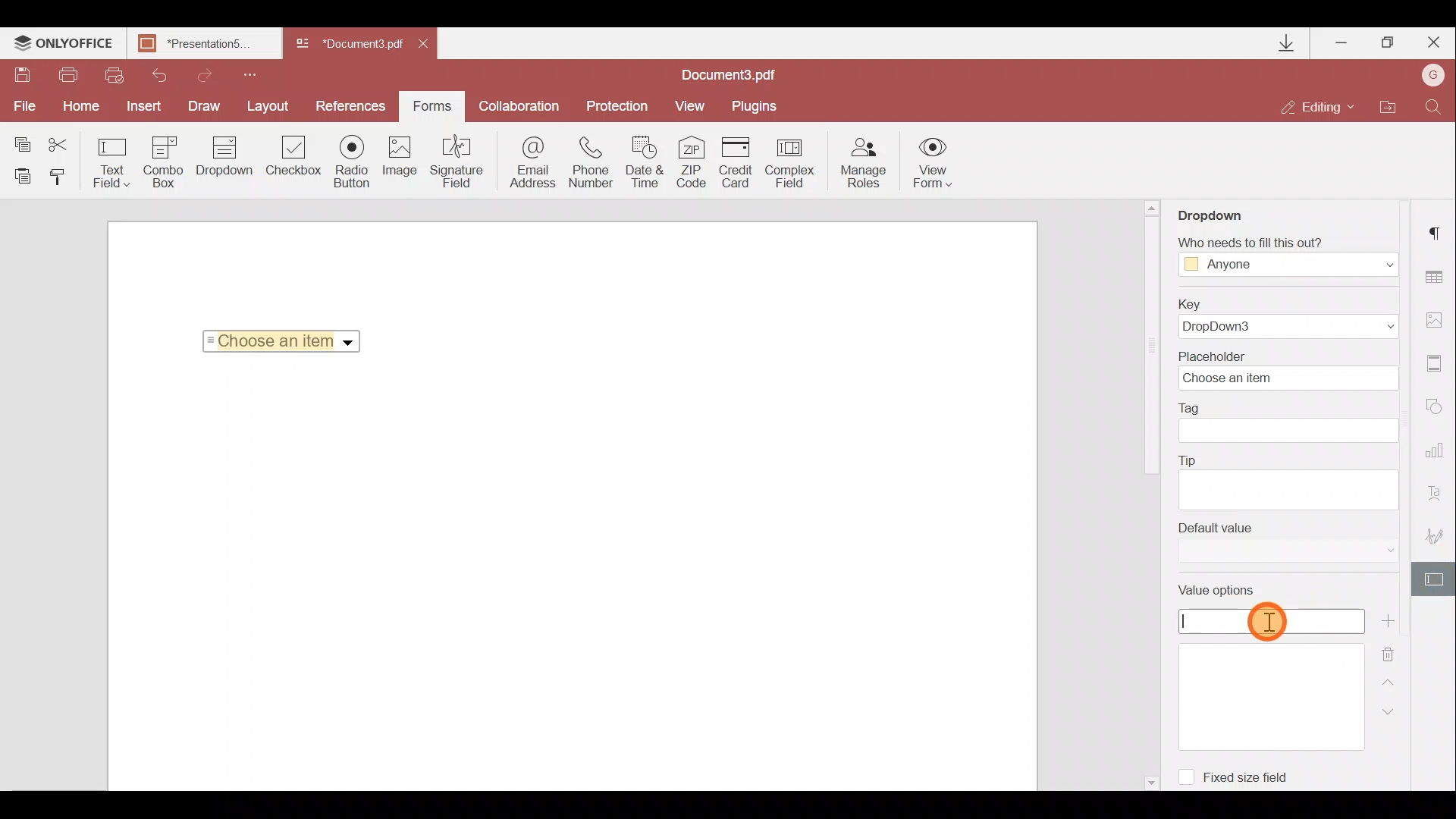 The height and width of the screenshot is (819, 1456). Describe the element at coordinates (1392, 650) in the screenshot. I see `Remove` at that location.